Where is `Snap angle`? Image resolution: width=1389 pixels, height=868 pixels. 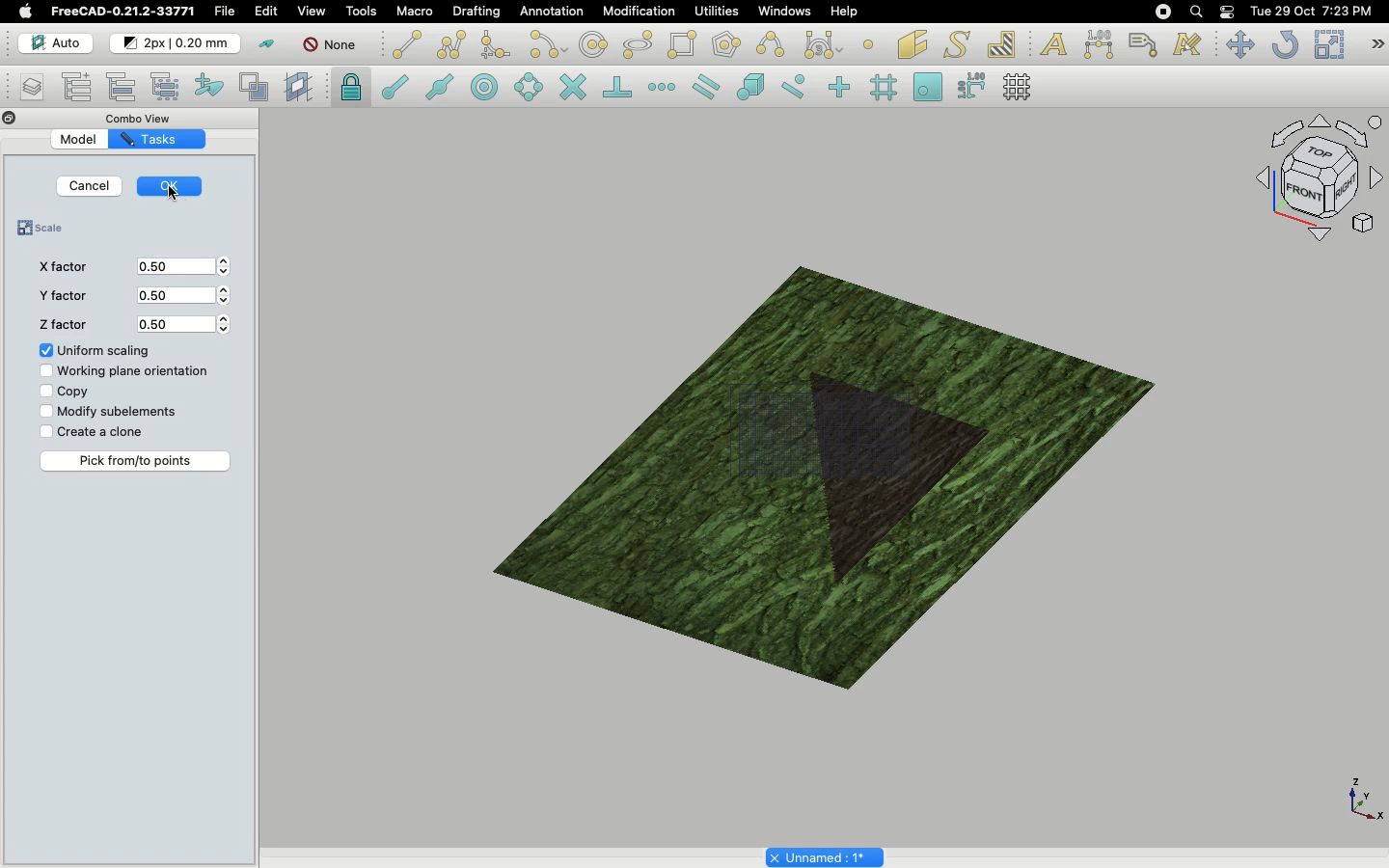
Snap angle is located at coordinates (524, 86).